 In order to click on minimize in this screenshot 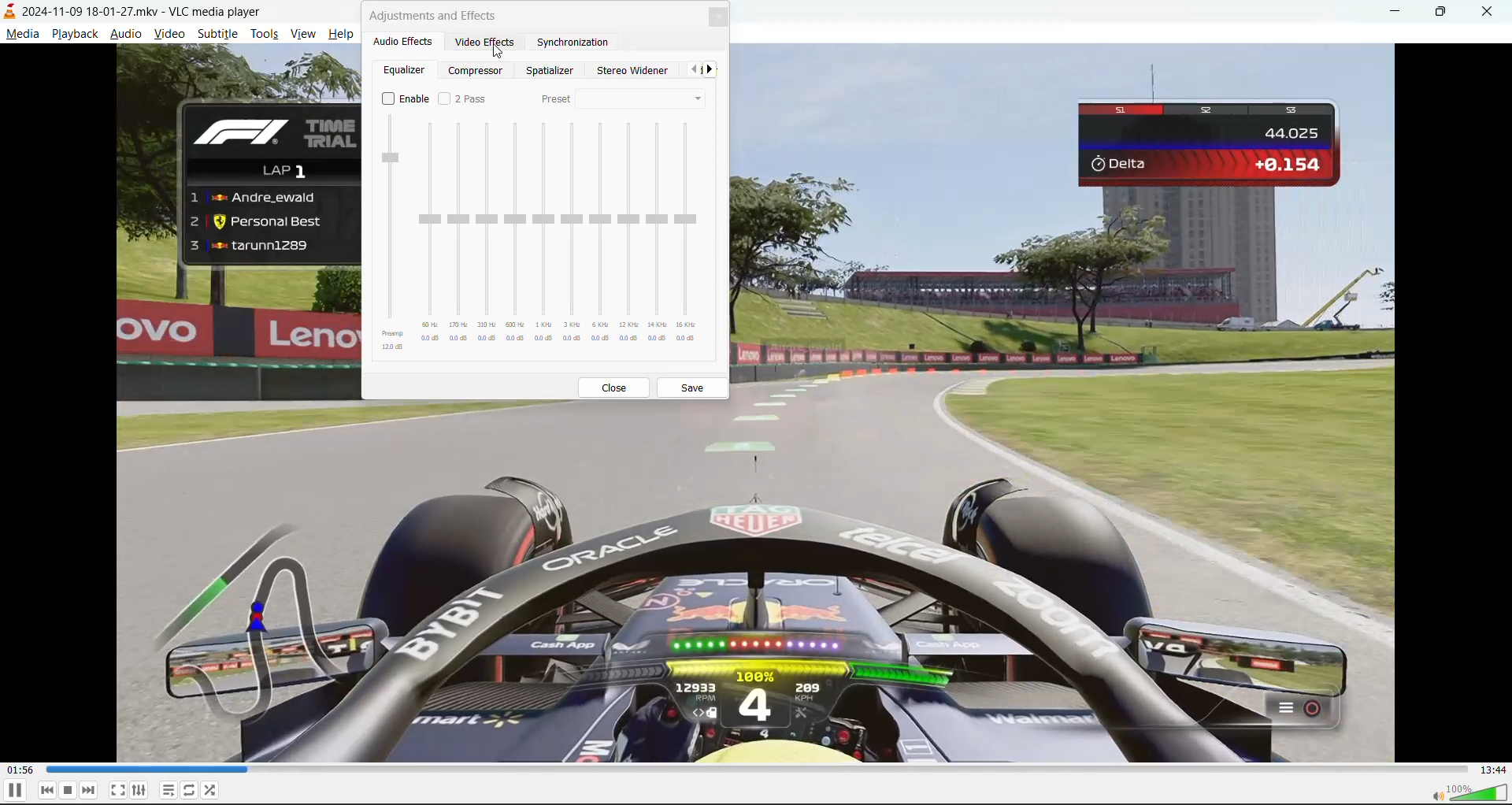, I will do `click(1399, 13)`.